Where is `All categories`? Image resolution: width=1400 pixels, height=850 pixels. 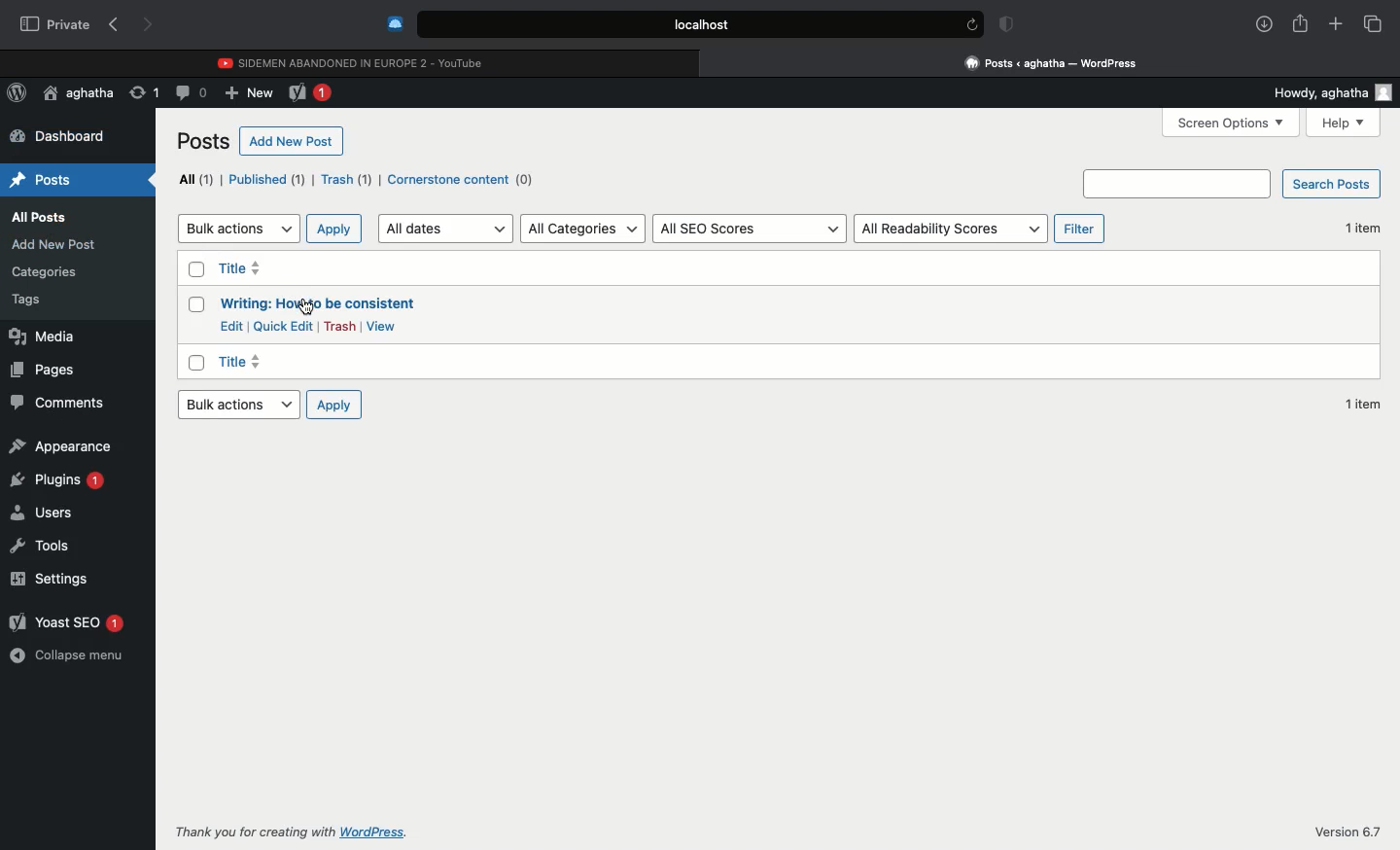
All categories is located at coordinates (581, 229).